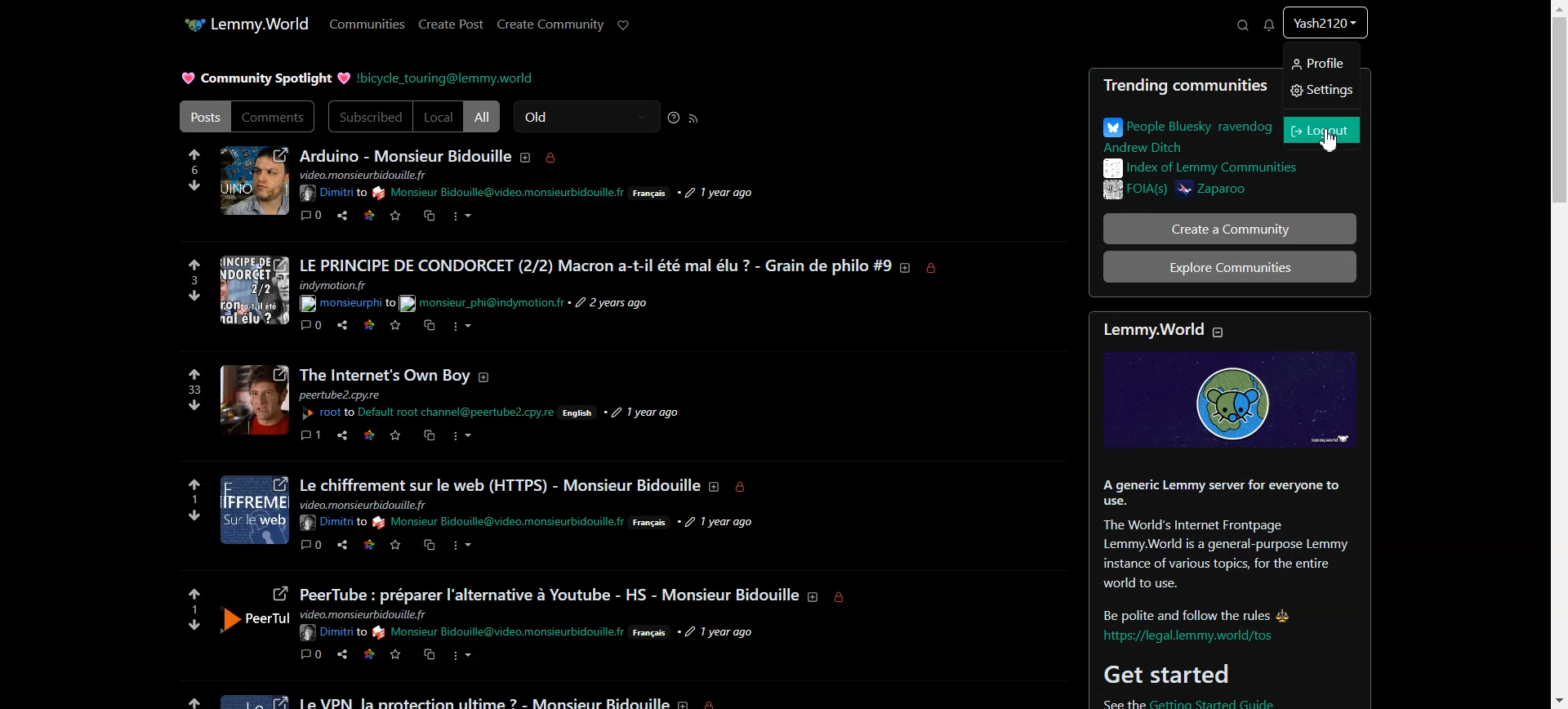 The image size is (1568, 709). Describe the element at coordinates (191, 481) in the screenshot. I see `upvotes` at that location.